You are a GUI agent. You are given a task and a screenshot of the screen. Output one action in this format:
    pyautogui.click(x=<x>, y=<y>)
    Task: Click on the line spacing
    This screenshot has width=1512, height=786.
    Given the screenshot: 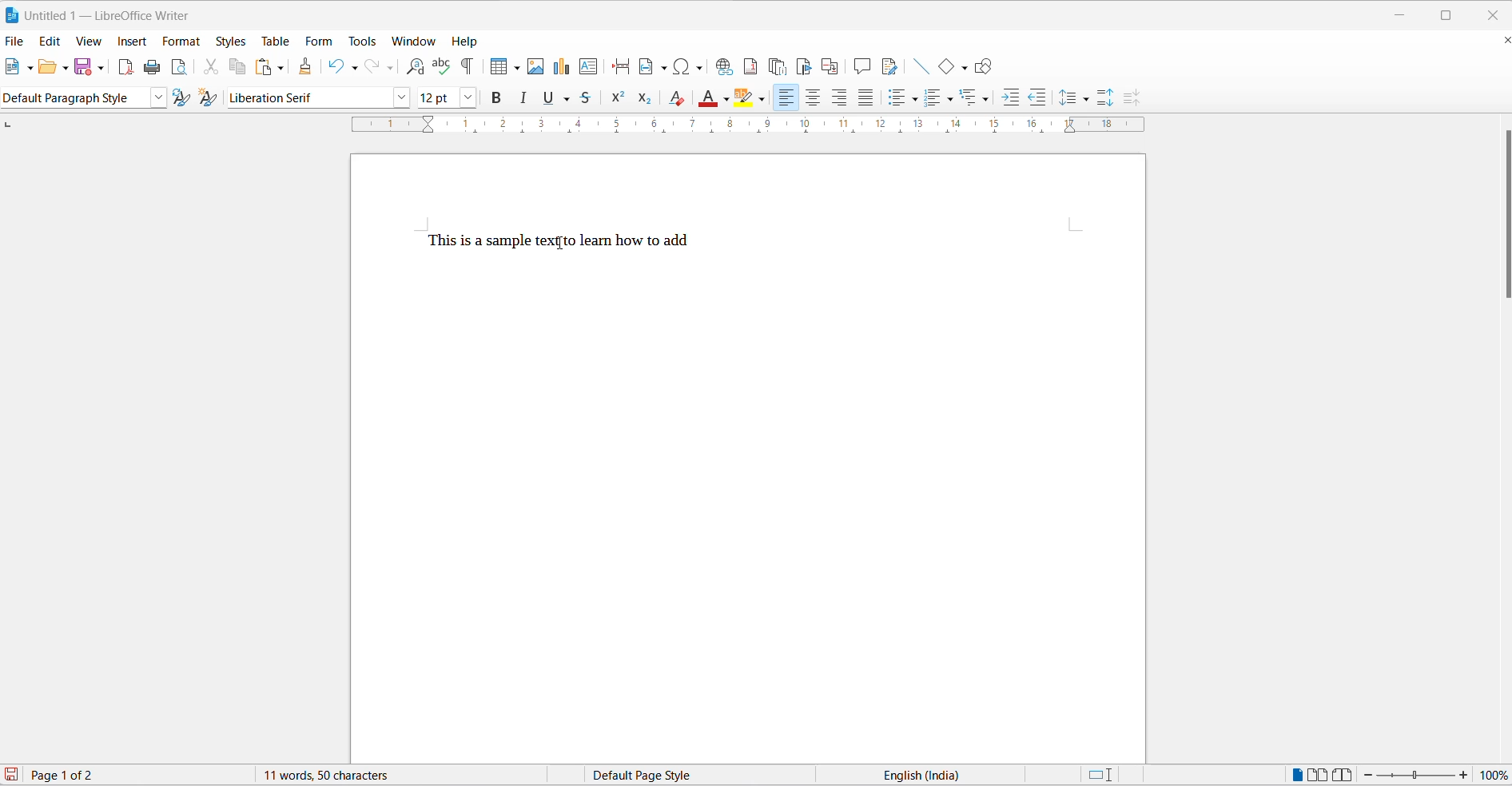 What is the action you would take?
    pyautogui.click(x=1067, y=97)
    